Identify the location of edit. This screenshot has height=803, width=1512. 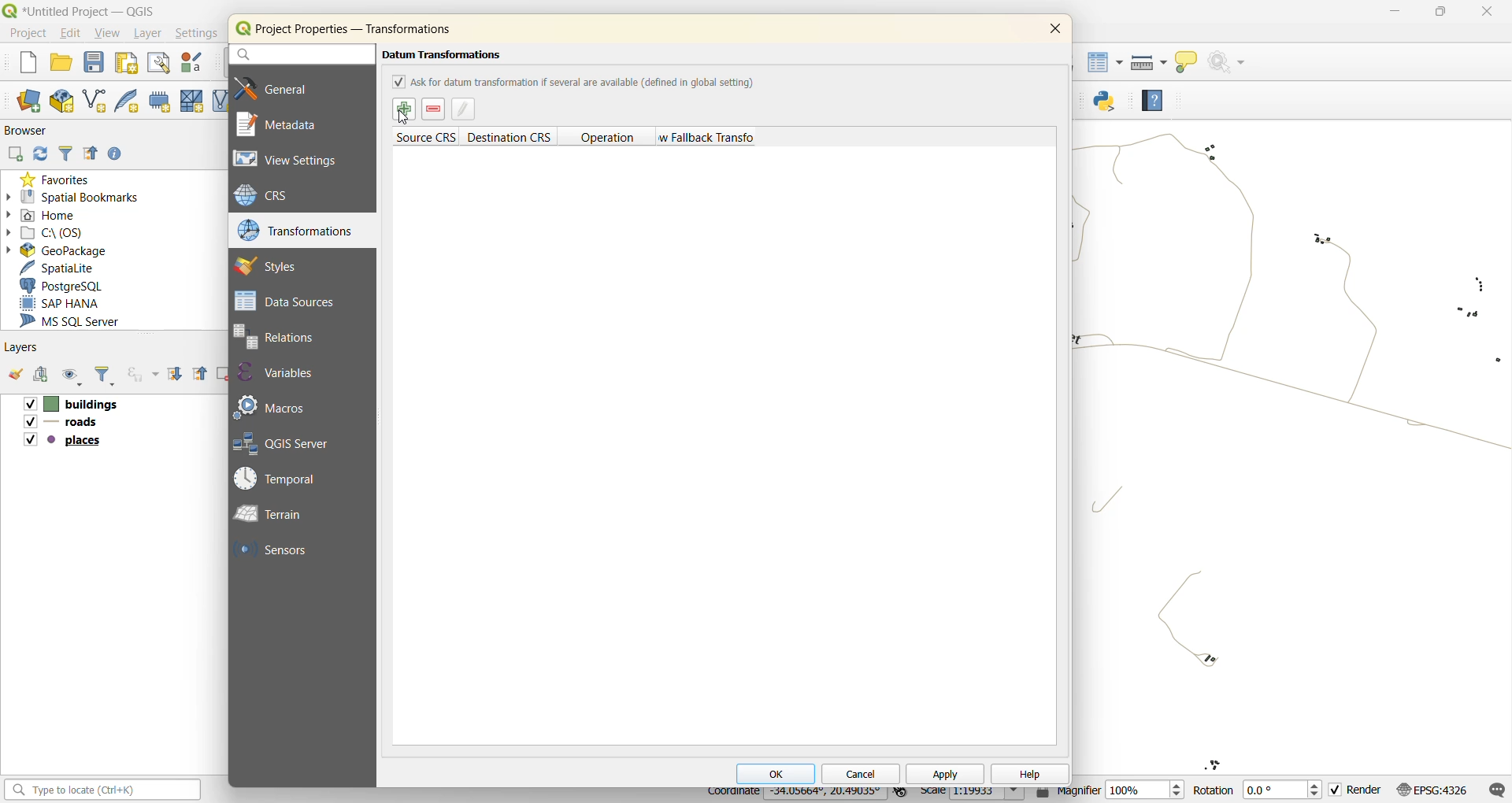
(71, 33).